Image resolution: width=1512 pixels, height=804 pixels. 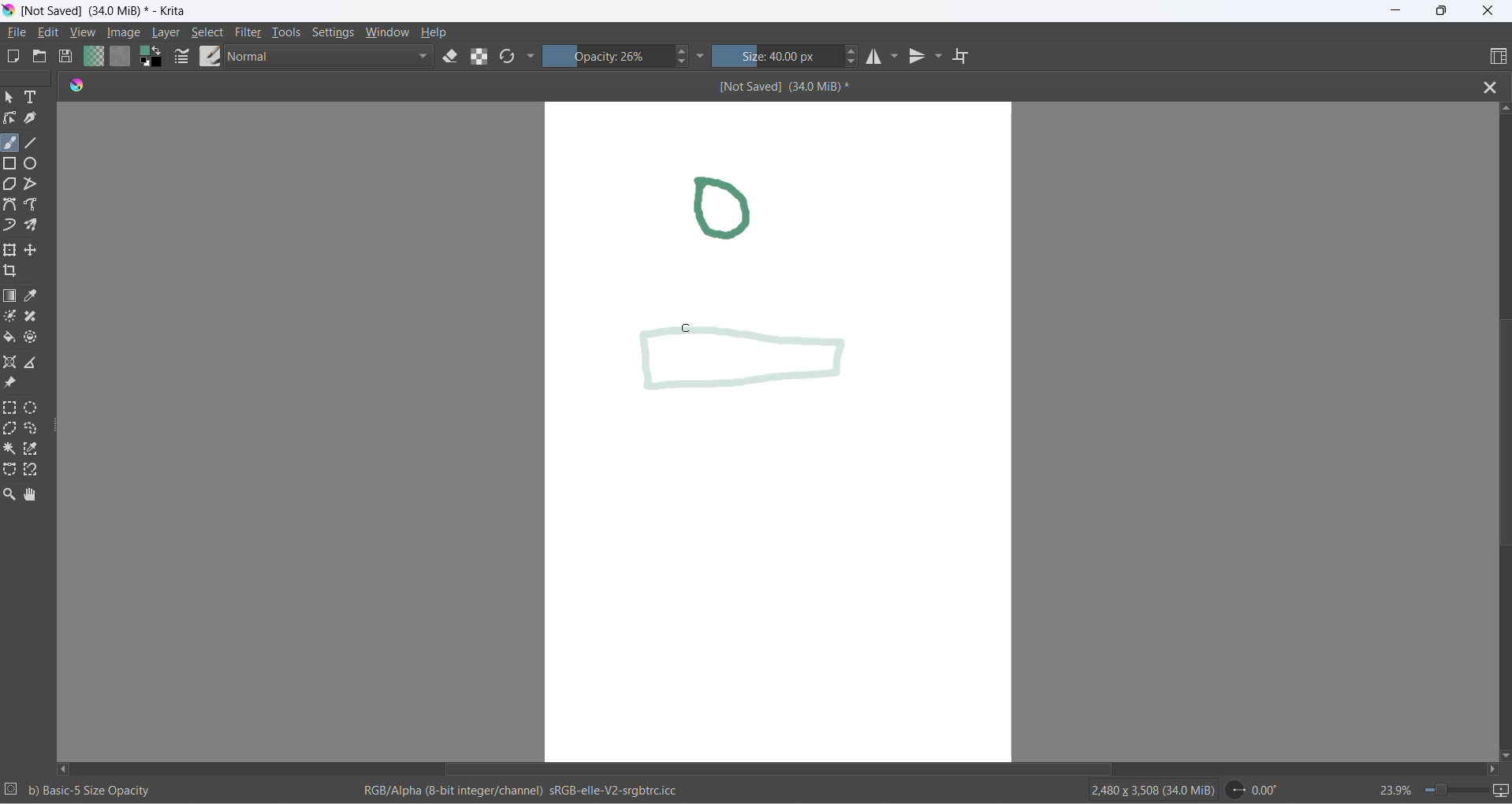 What do you see at coordinates (786, 86) in the screenshot?
I see `[Not Saved] (340 MiB)*` at bounding box center [786, 86].